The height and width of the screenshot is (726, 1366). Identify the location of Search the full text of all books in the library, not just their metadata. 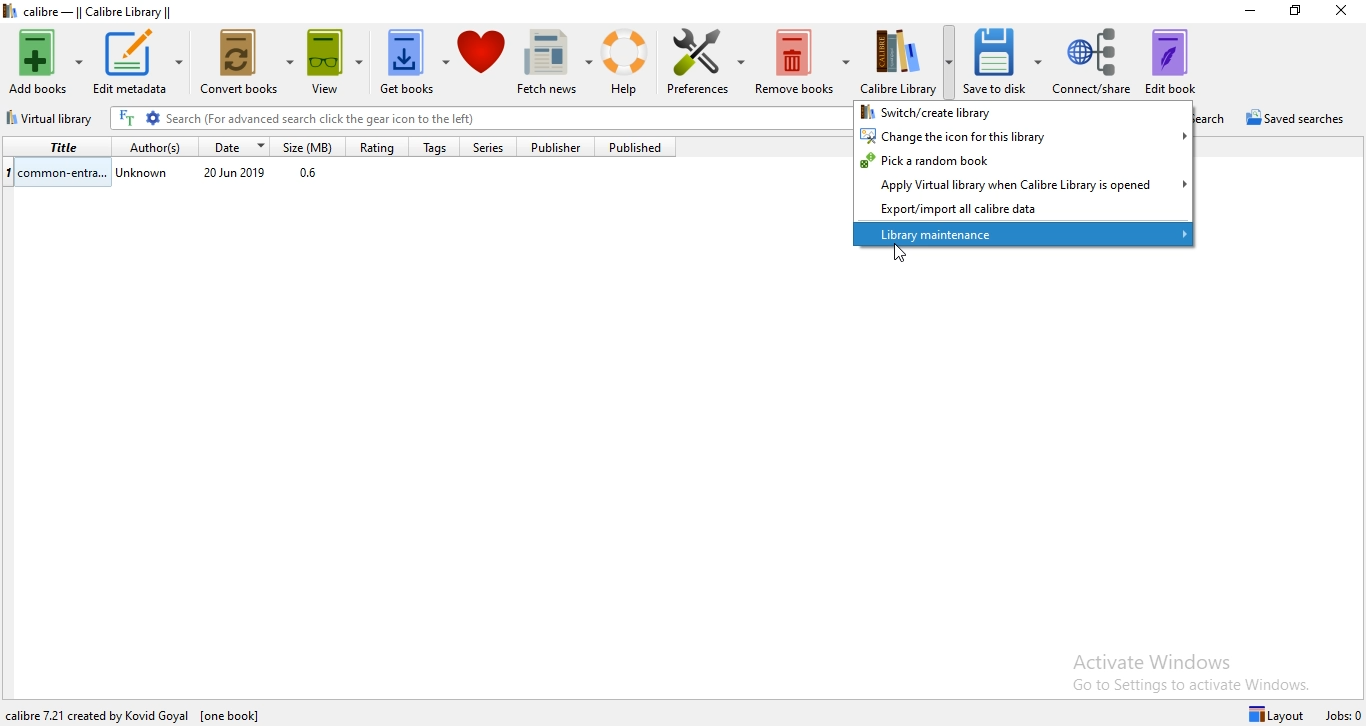
(127, 118).